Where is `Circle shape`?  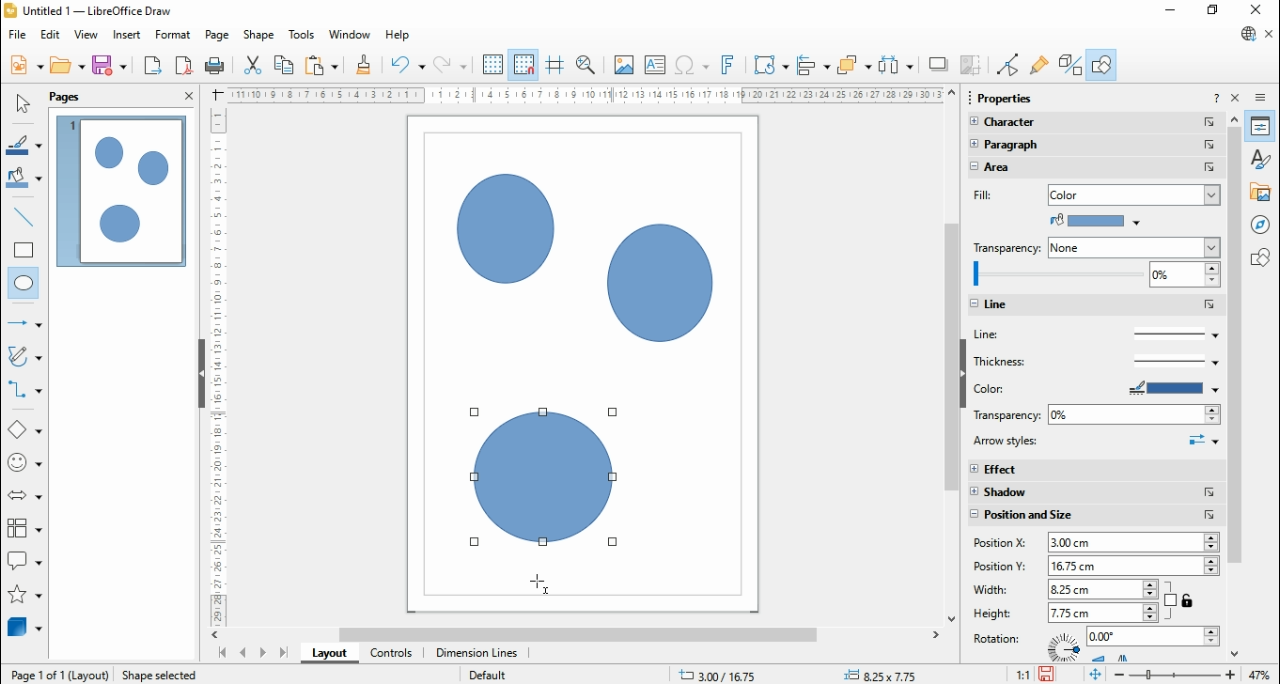
Circle shape is located at coordinates (661, 286).